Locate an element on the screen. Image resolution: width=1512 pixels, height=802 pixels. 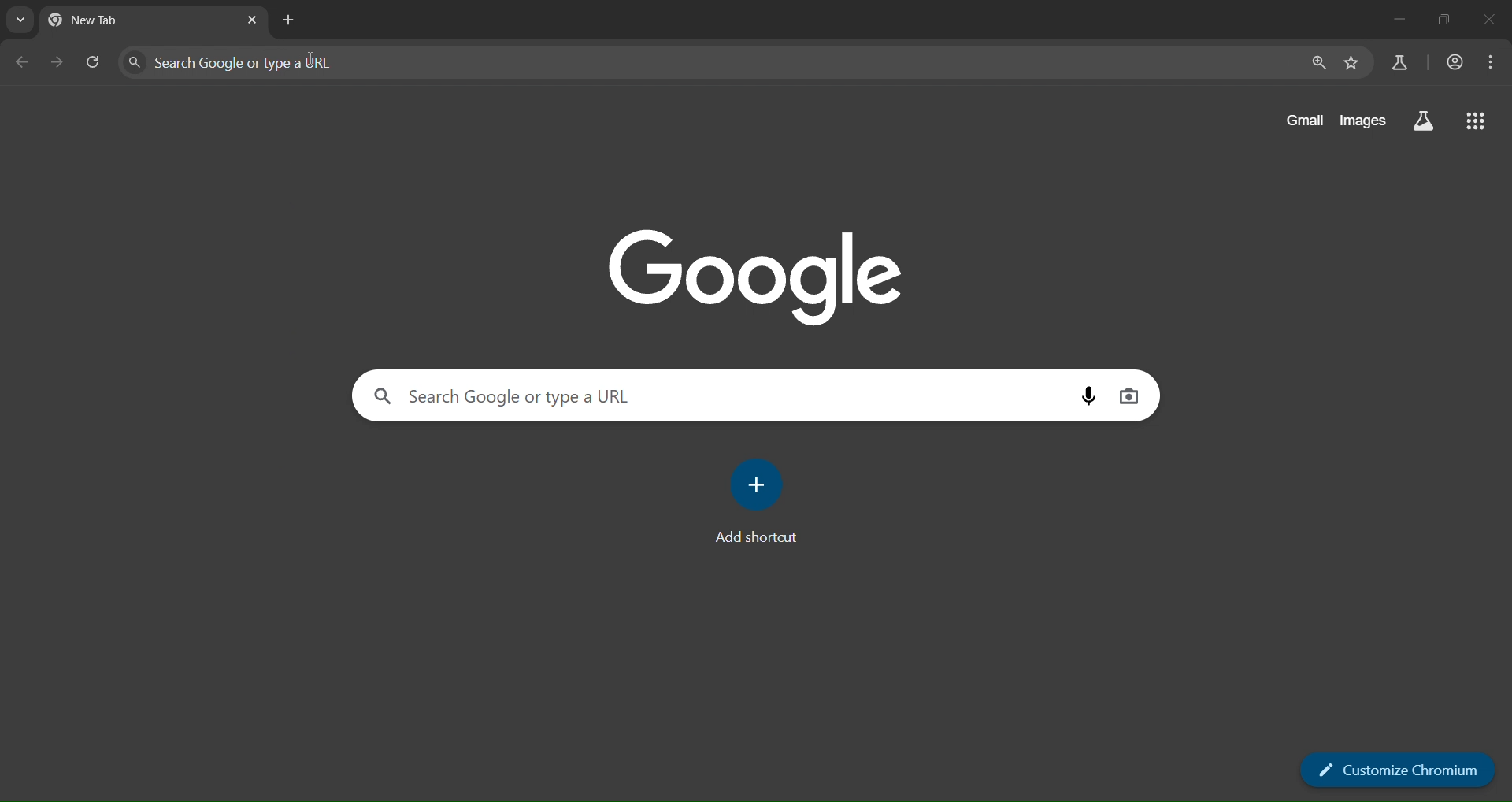
gmail is located at coordinates (1301, 120).